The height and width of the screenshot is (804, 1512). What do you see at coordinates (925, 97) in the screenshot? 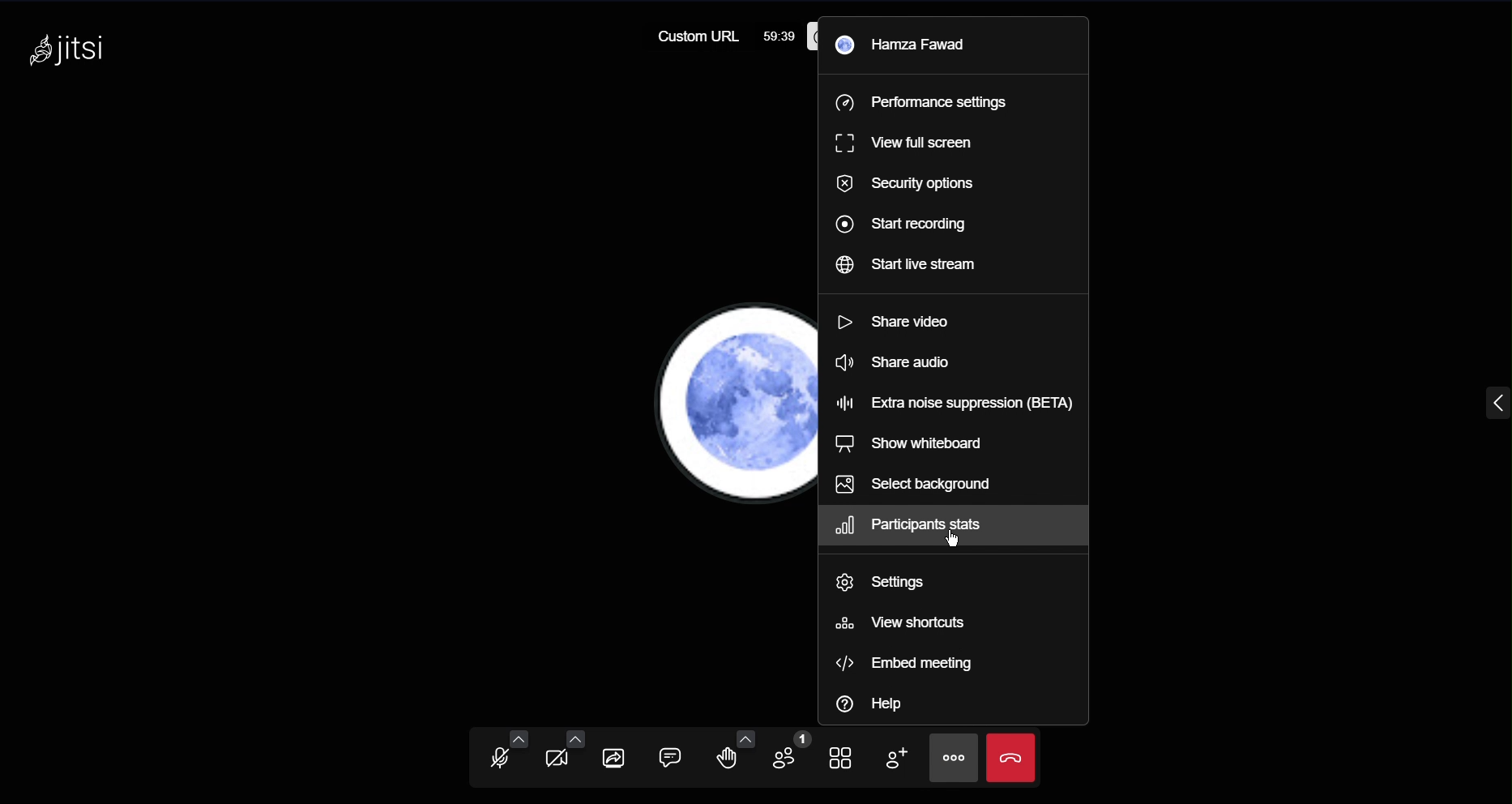
I see `Performance` at bounding box center [925, 97].